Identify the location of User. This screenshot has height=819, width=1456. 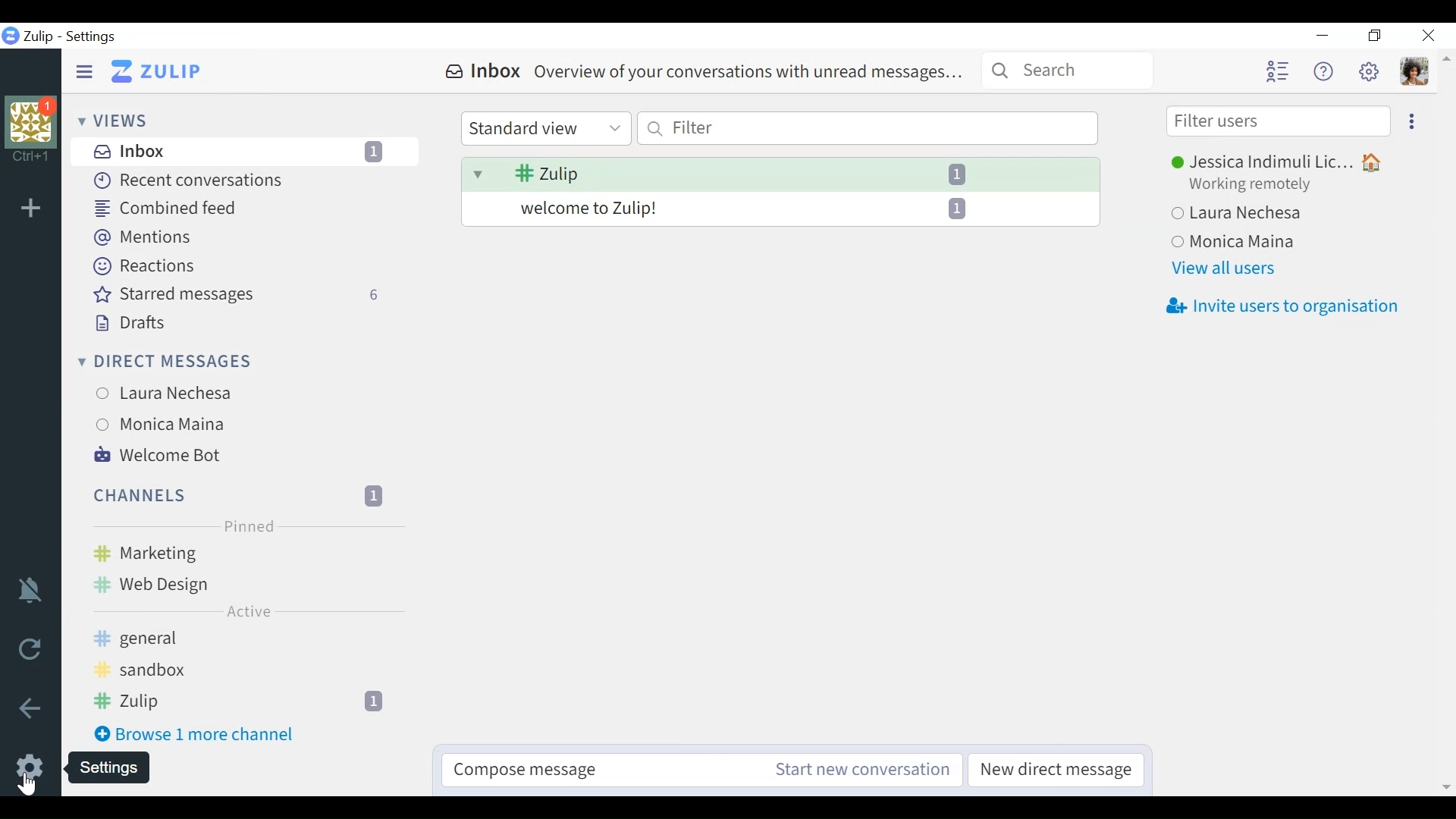
(249, 424).